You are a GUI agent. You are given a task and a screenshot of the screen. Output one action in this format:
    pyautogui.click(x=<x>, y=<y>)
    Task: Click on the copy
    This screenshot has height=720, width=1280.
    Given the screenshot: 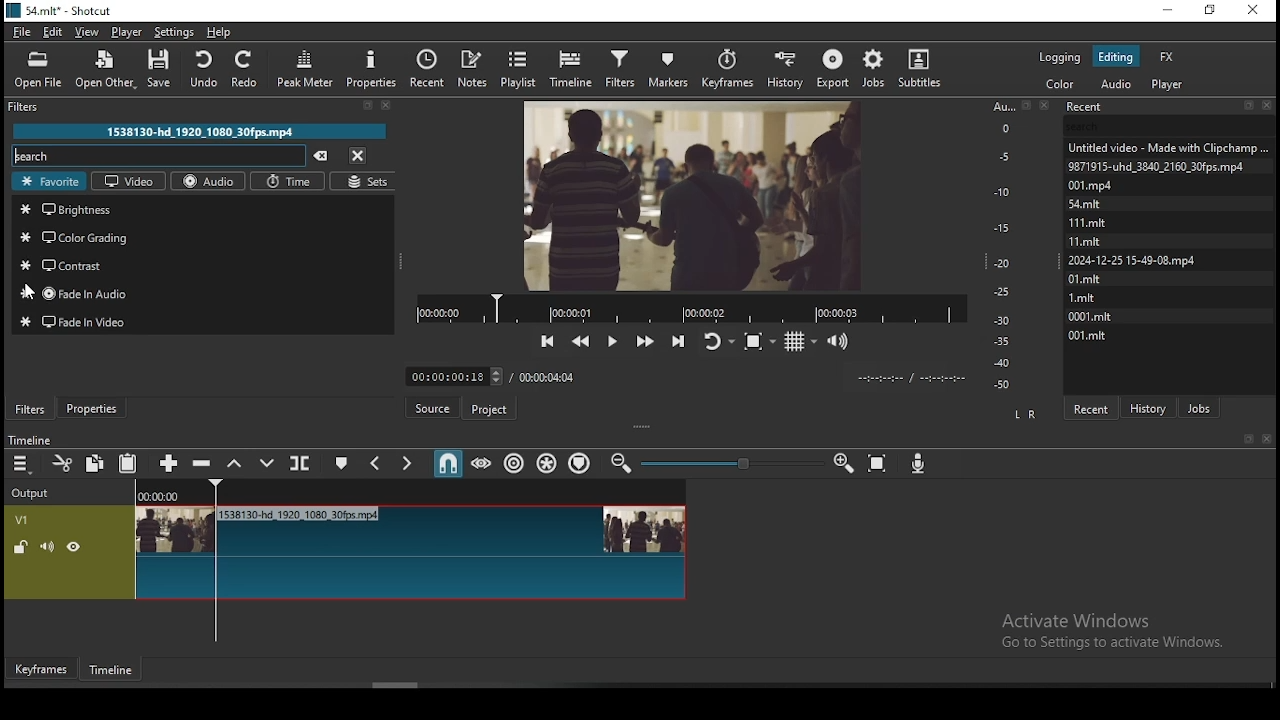 What is the action you would take?
    pyautogui.click(x=96, y=464)
    